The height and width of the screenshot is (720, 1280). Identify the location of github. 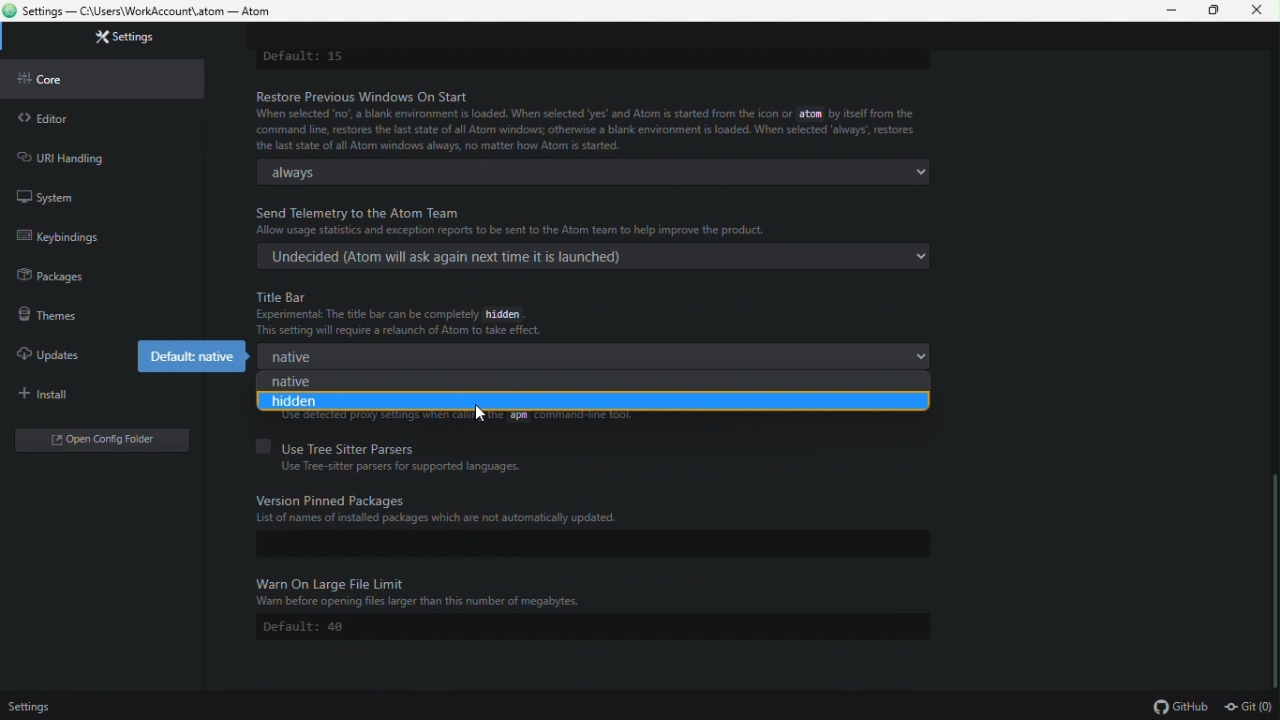
(1179, 706).